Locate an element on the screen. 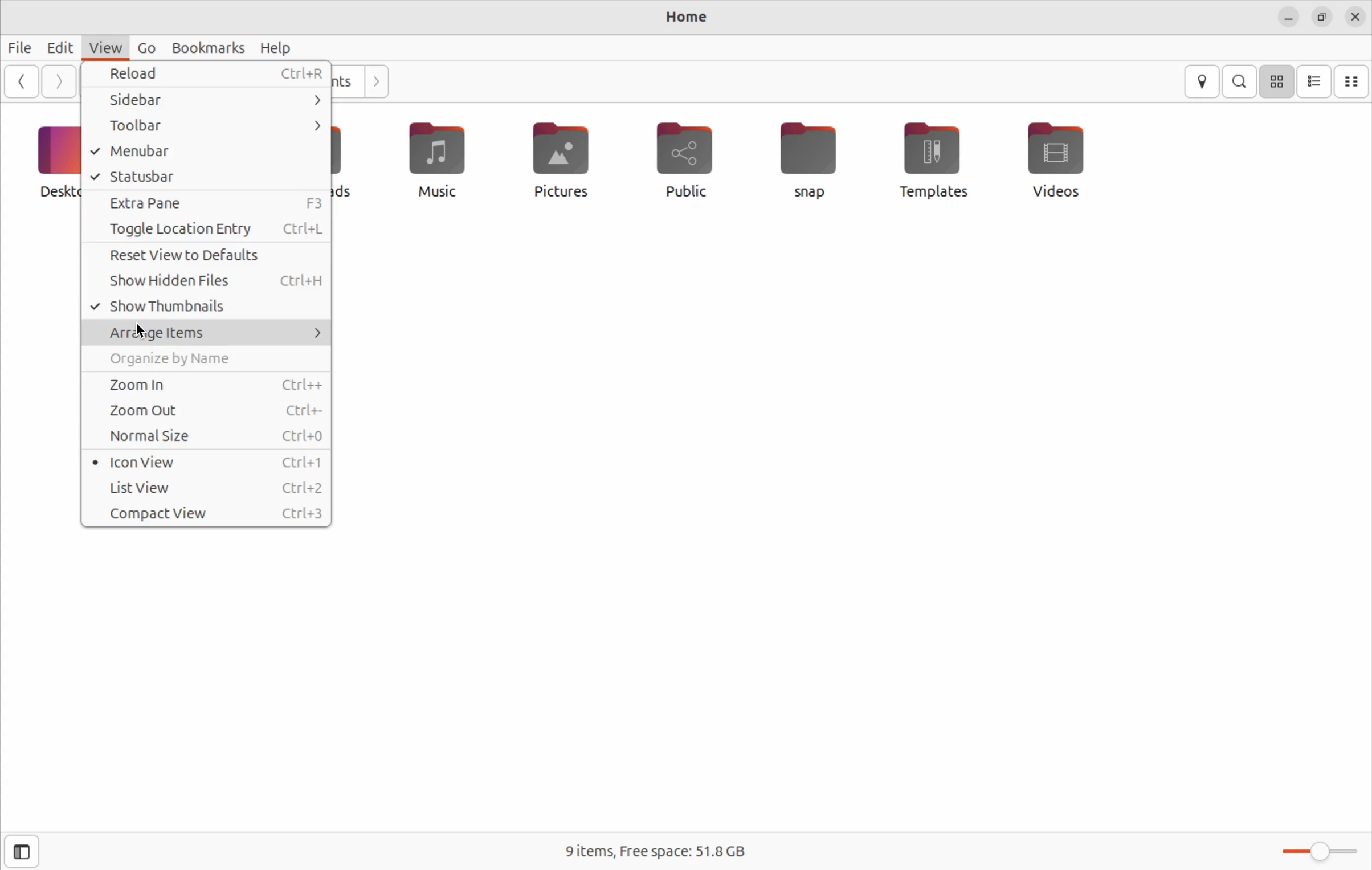 The width and height of the screenshot is (1372, 870). reload is located at coordinates (210, 75).